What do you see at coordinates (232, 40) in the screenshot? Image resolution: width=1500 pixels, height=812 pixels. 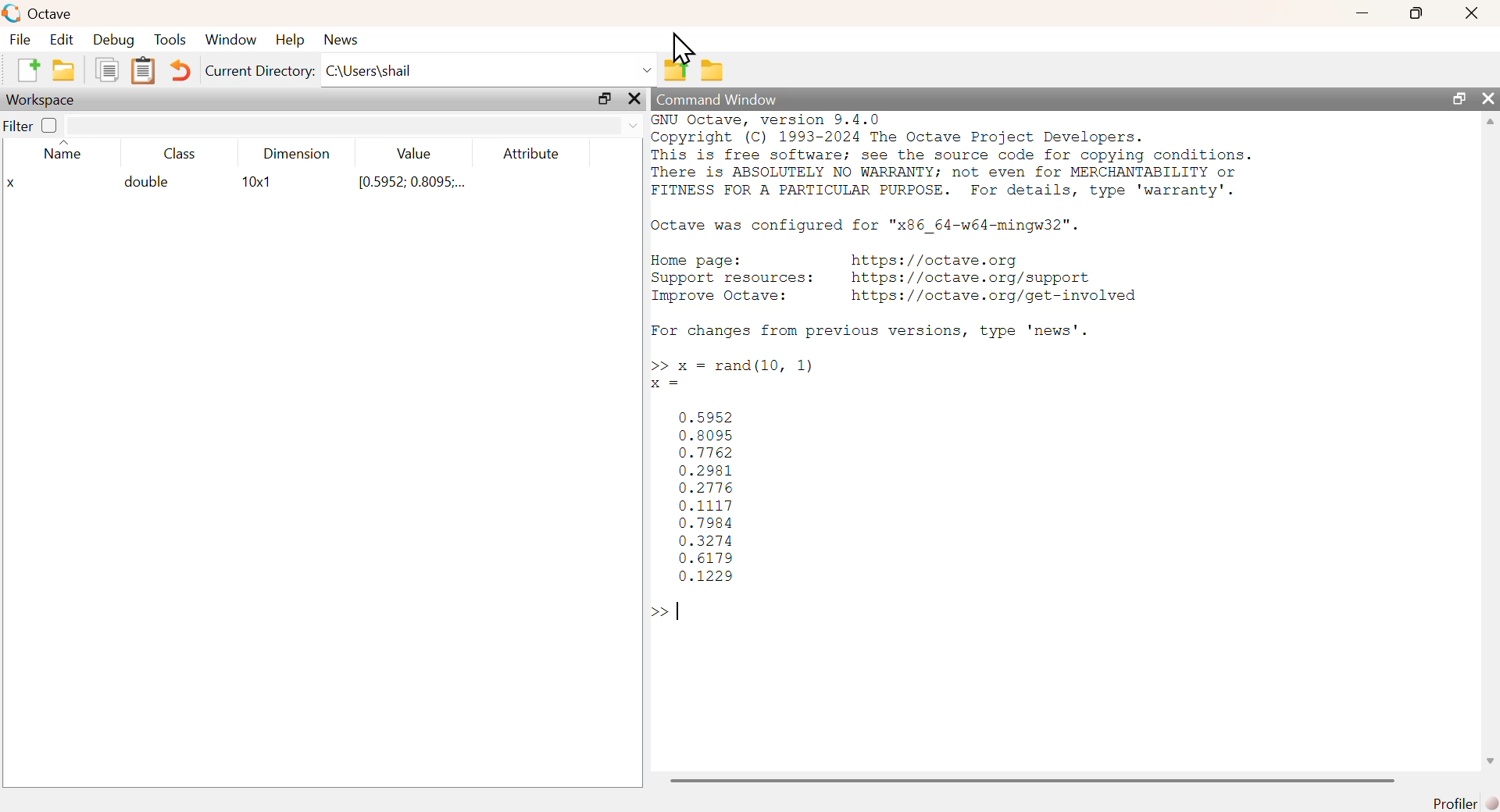 I see `window` at bounding box center [232, 40].